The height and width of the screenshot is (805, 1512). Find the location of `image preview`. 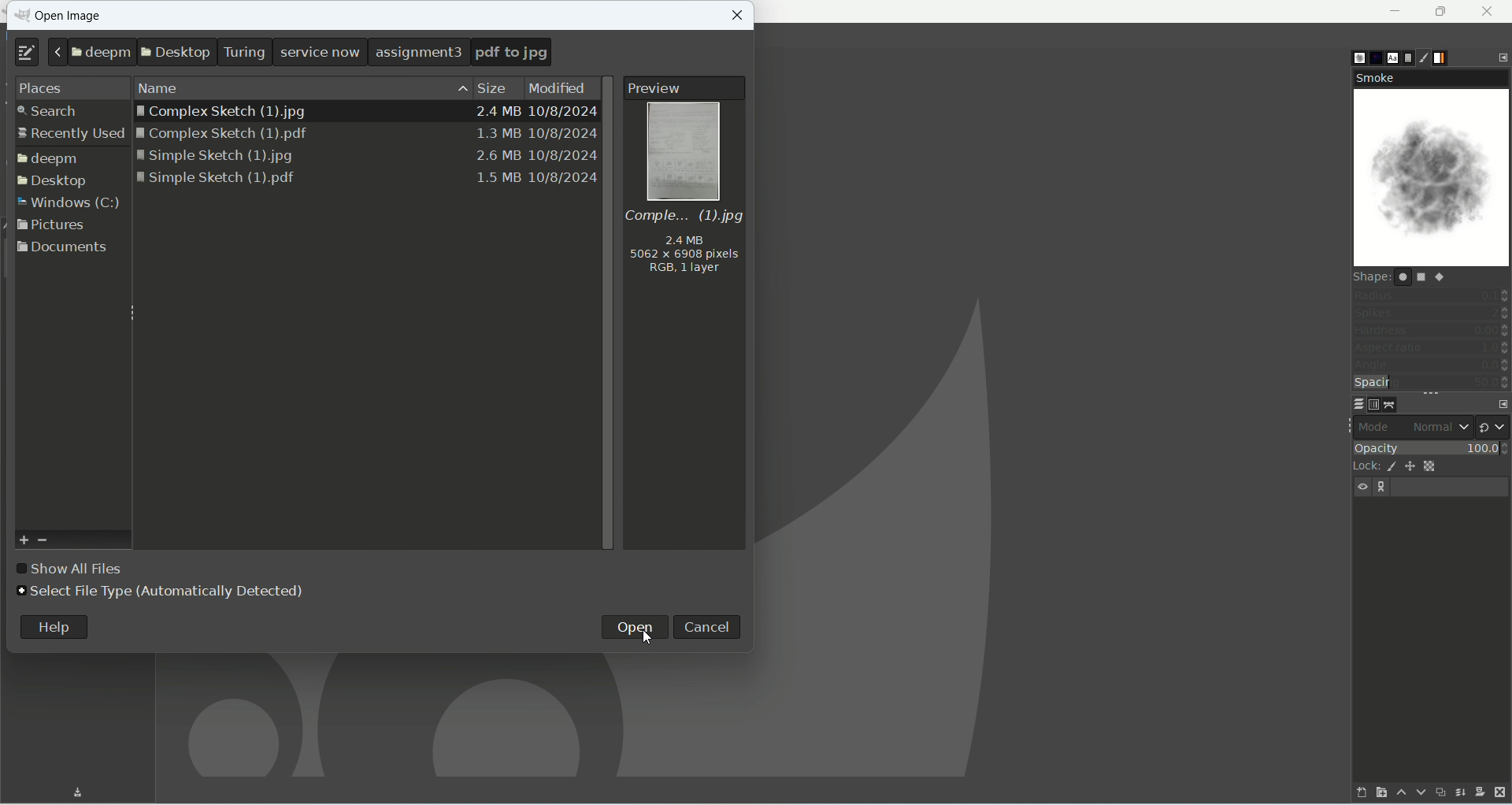

image preview is located at coordinates (682, 150).